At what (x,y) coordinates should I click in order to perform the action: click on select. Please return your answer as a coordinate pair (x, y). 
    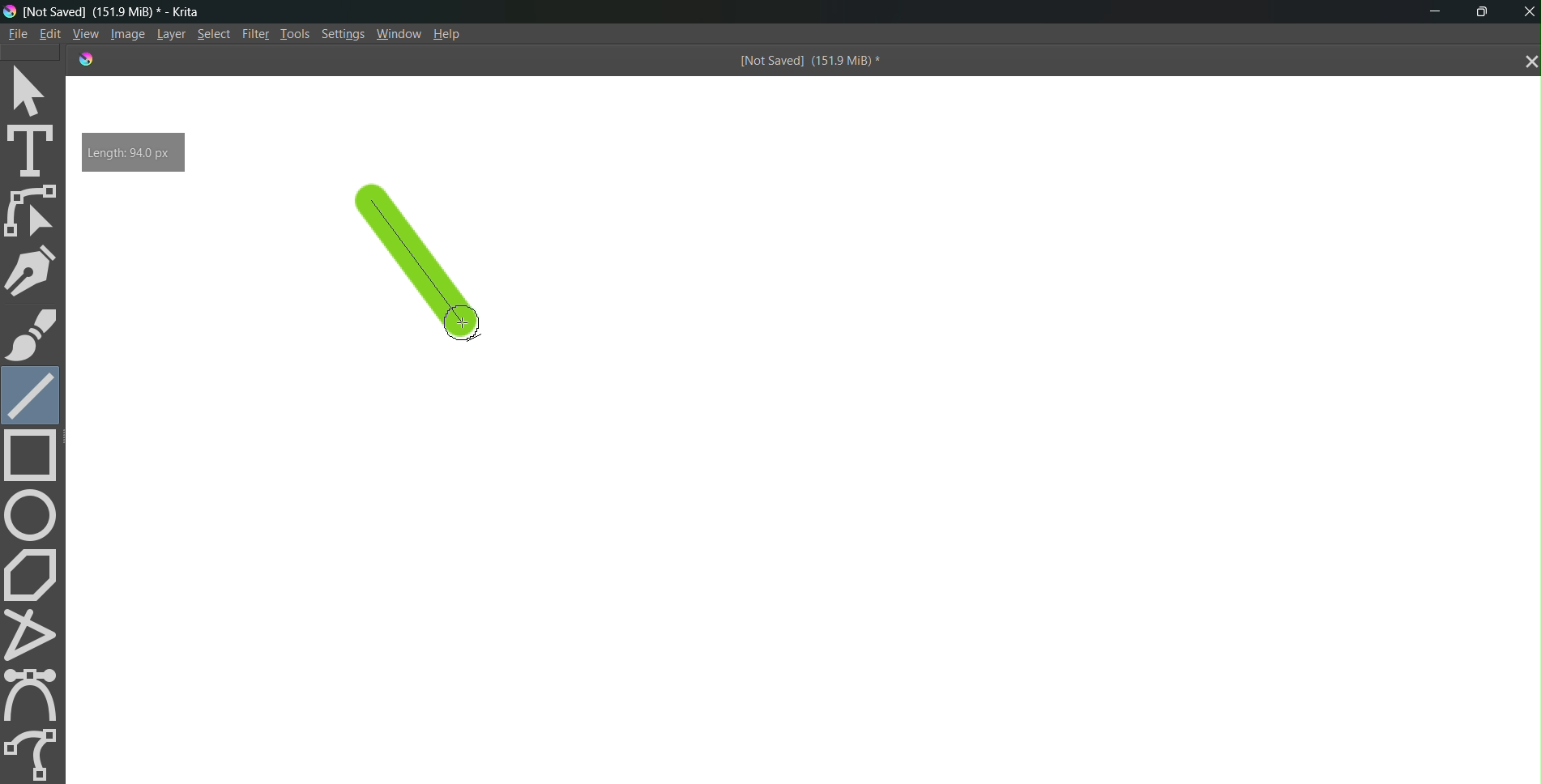
    Looking at the image, I should click on (35, 89).